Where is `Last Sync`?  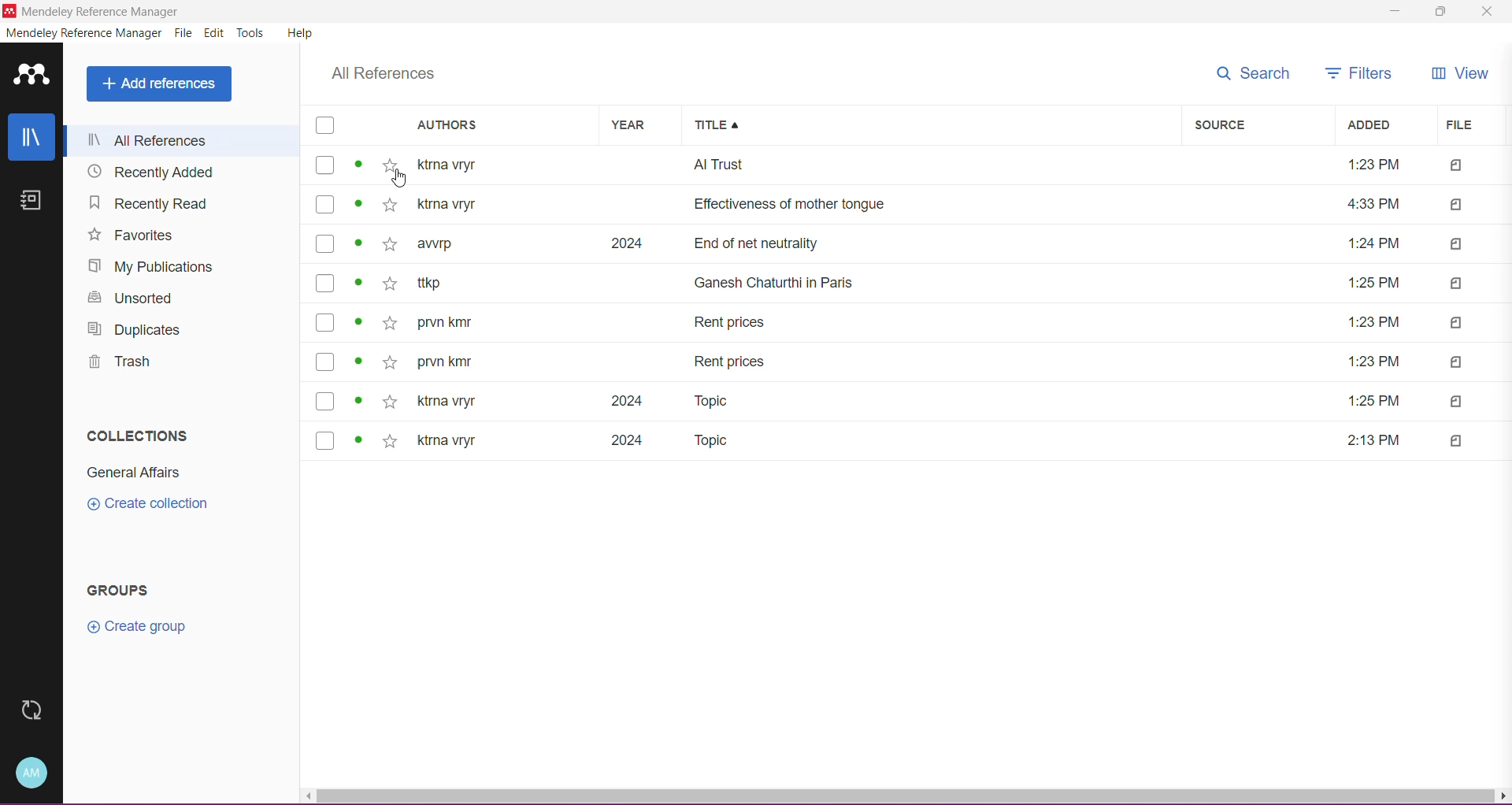
Last Sync is located at coordinates (32, 710).